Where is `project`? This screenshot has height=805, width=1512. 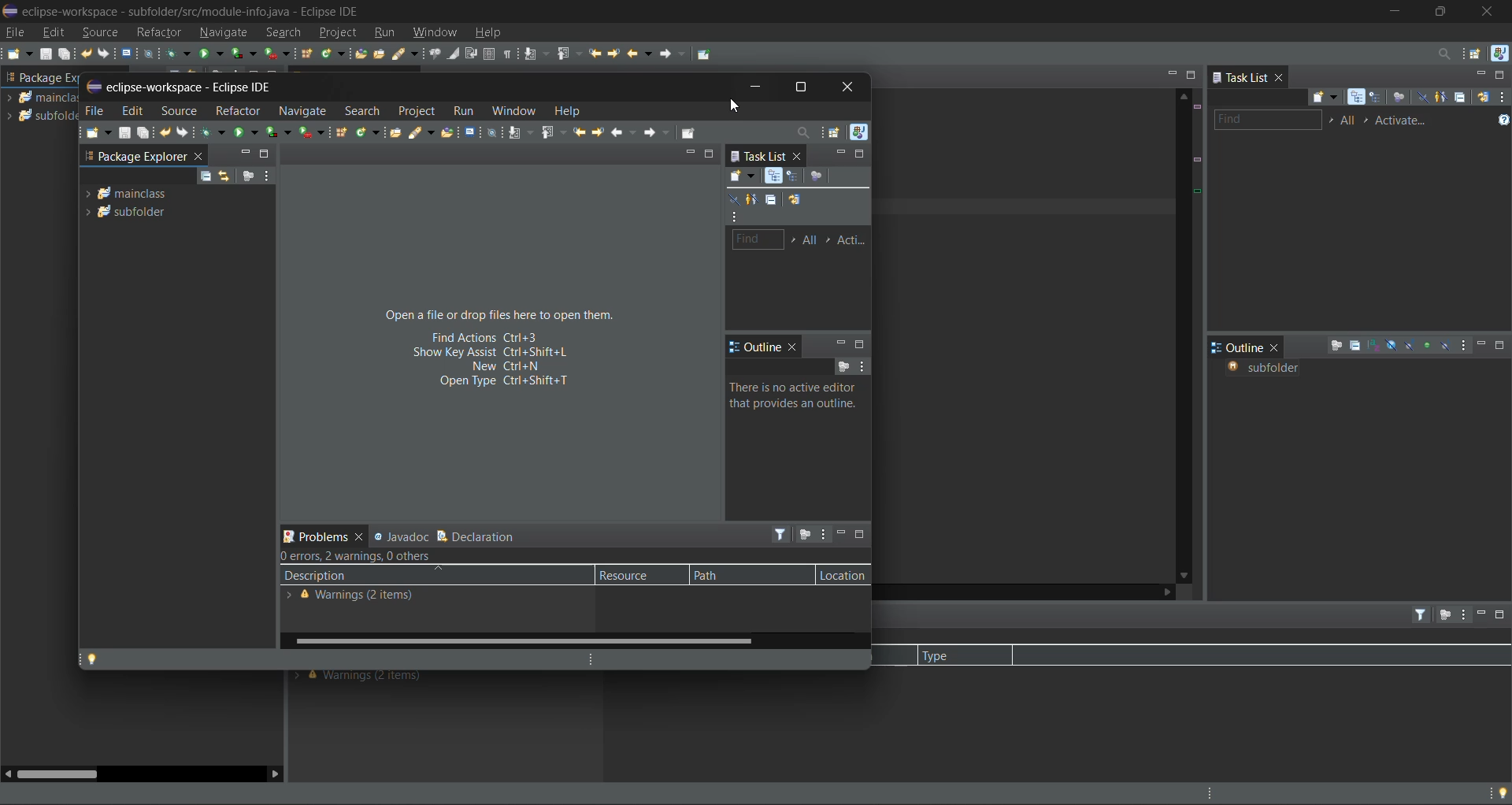
project is located at coordinates (341, 32).